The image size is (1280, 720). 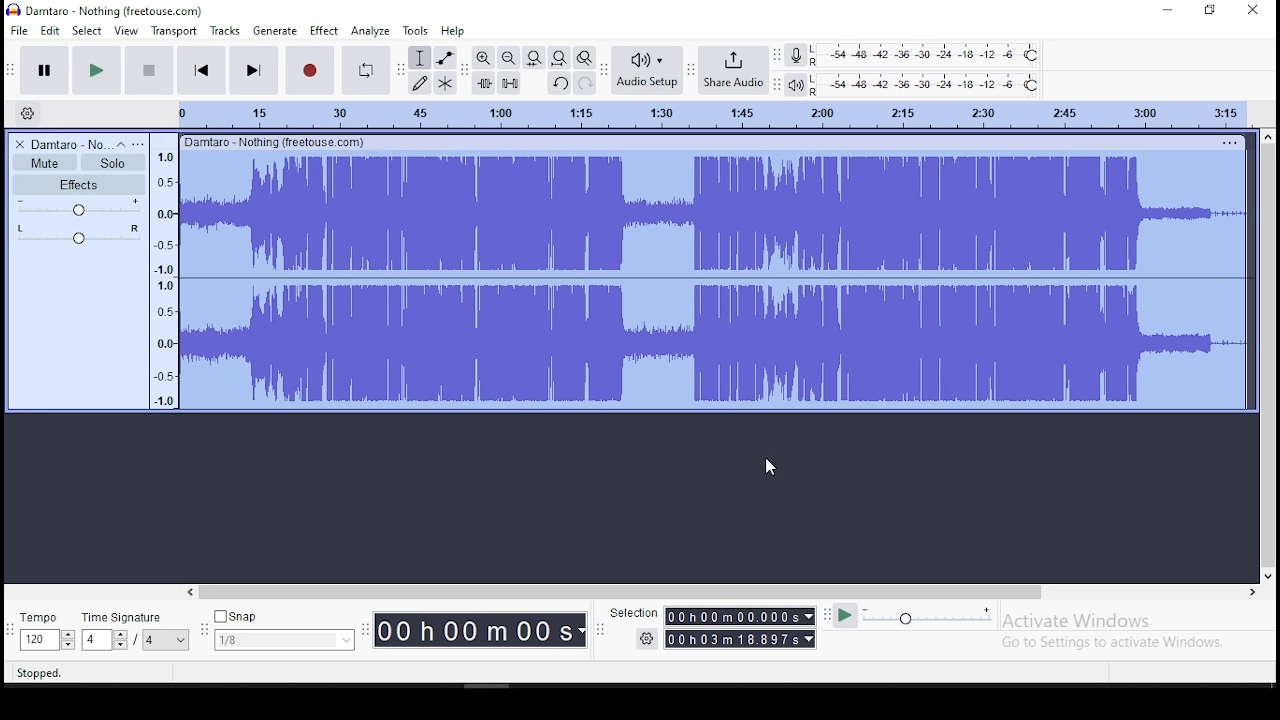 I want to click on play, so click(x=100, y=69).